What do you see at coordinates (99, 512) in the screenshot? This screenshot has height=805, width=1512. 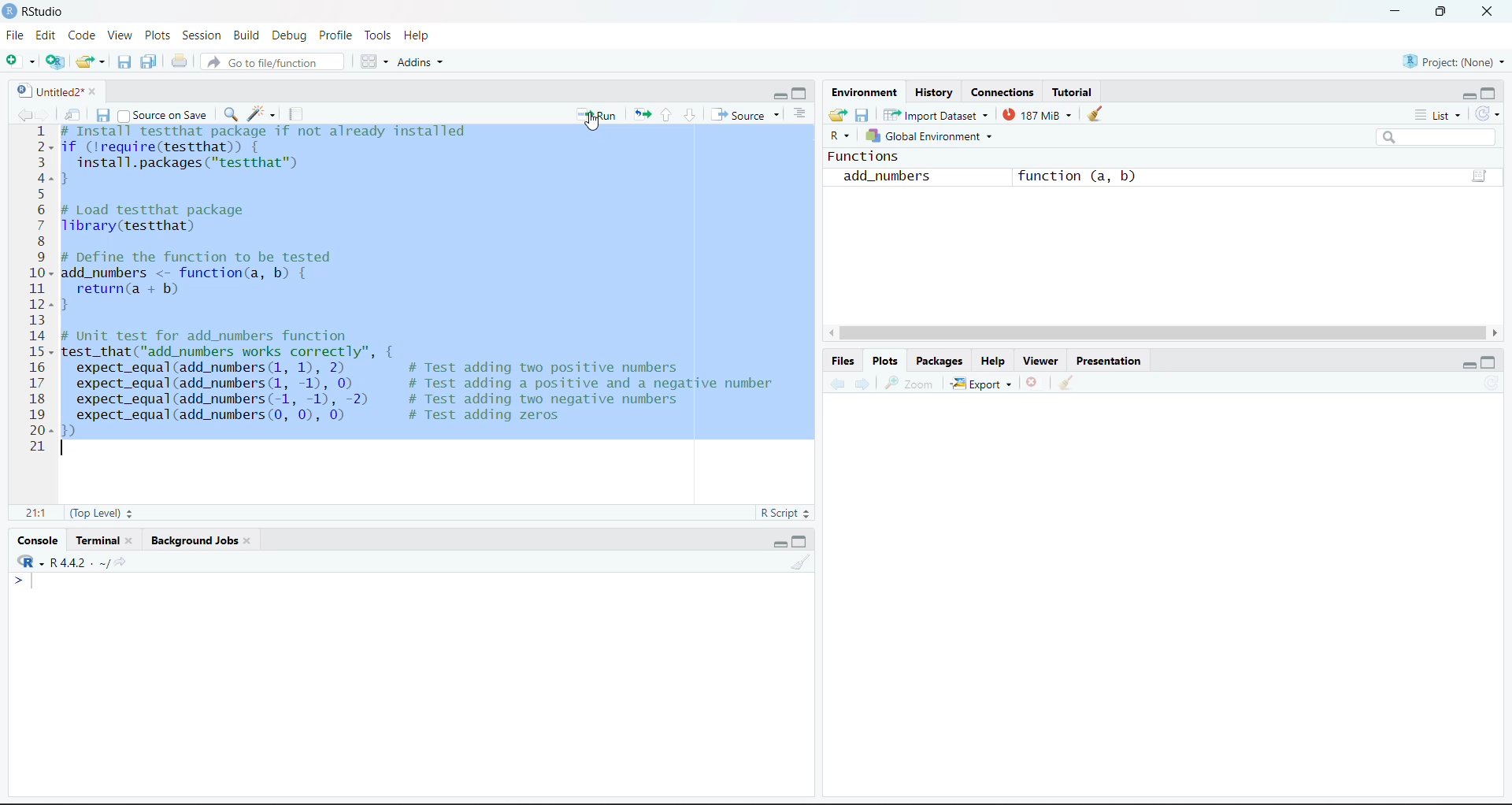 I see `(Top Level)` at bounding box center [99, 512].